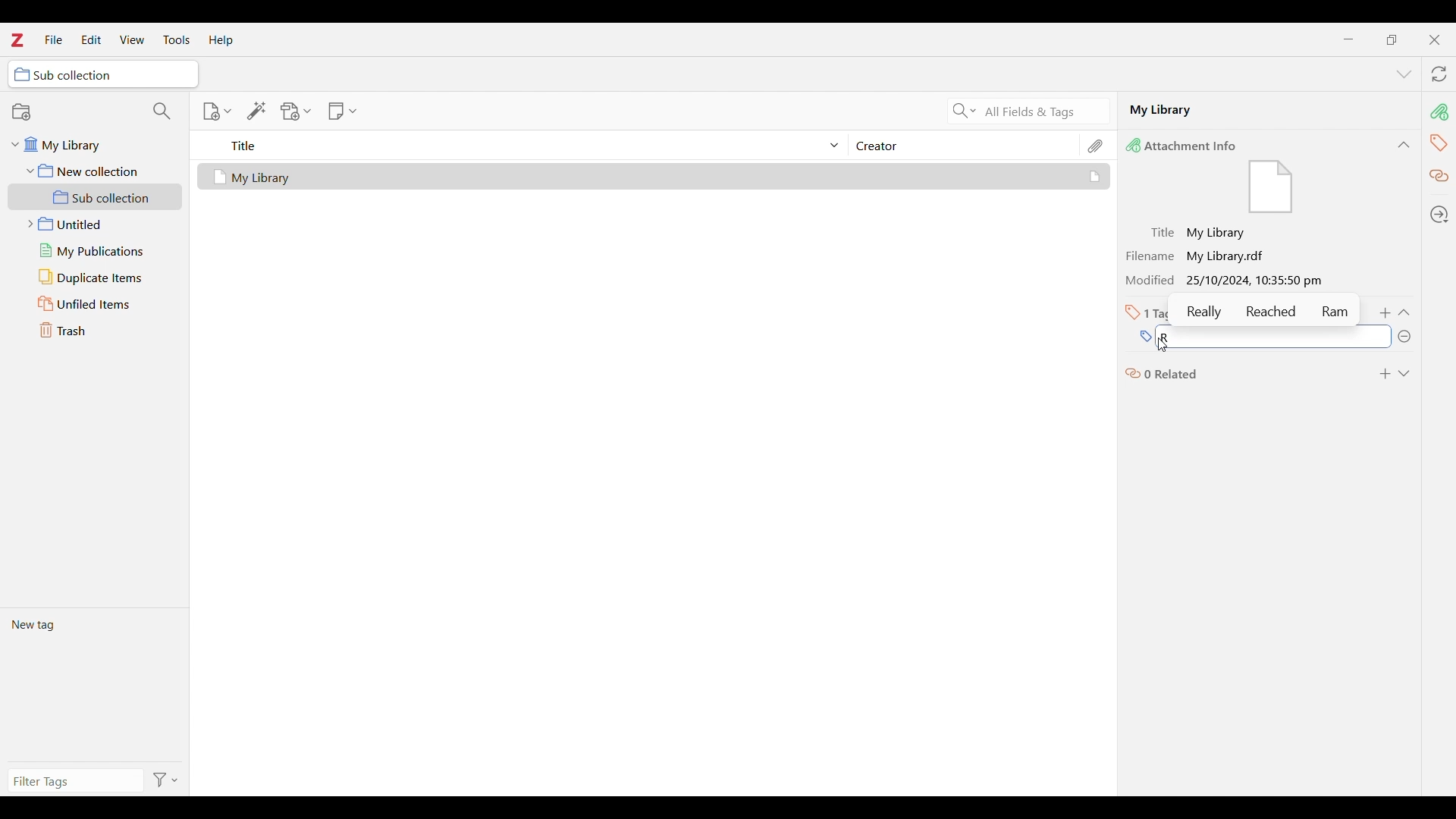  I want to click on Sync with zotero.org, so click(1439, 74).